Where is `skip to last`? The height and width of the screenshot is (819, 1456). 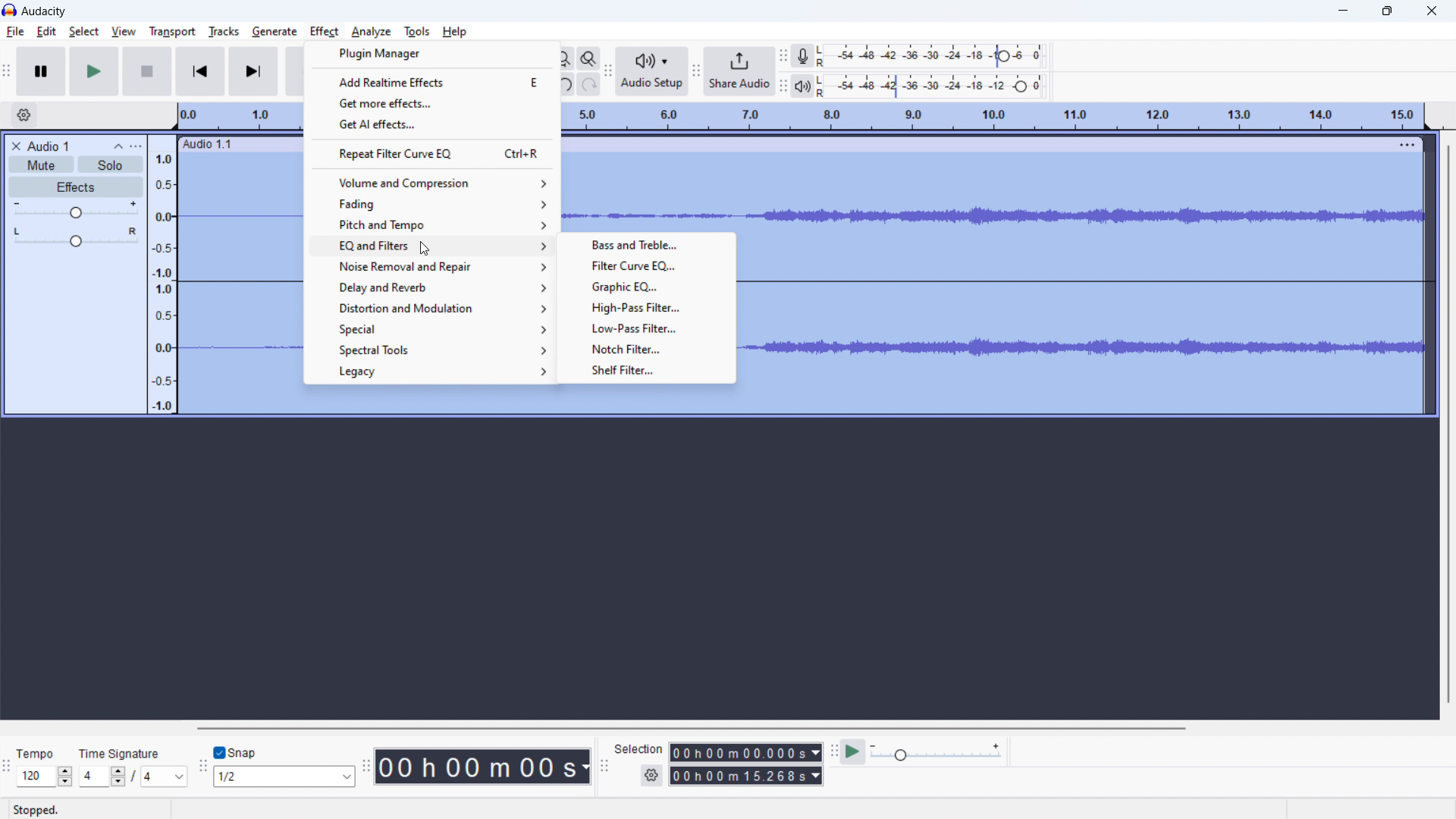
skip to last is located at coordinates (254, 72).